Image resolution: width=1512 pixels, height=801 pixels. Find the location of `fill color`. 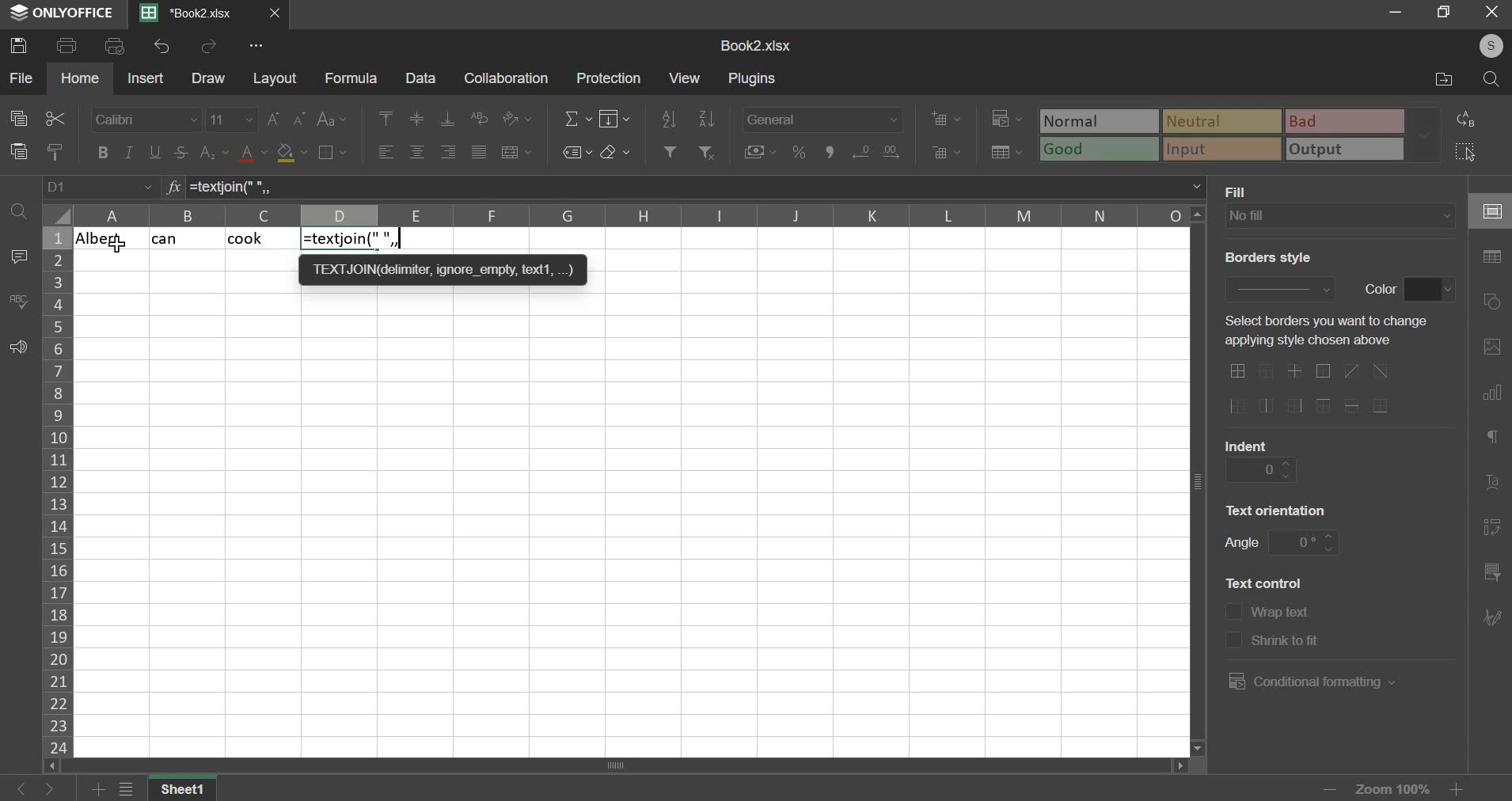

fill color is located at coordinates (291, 154).